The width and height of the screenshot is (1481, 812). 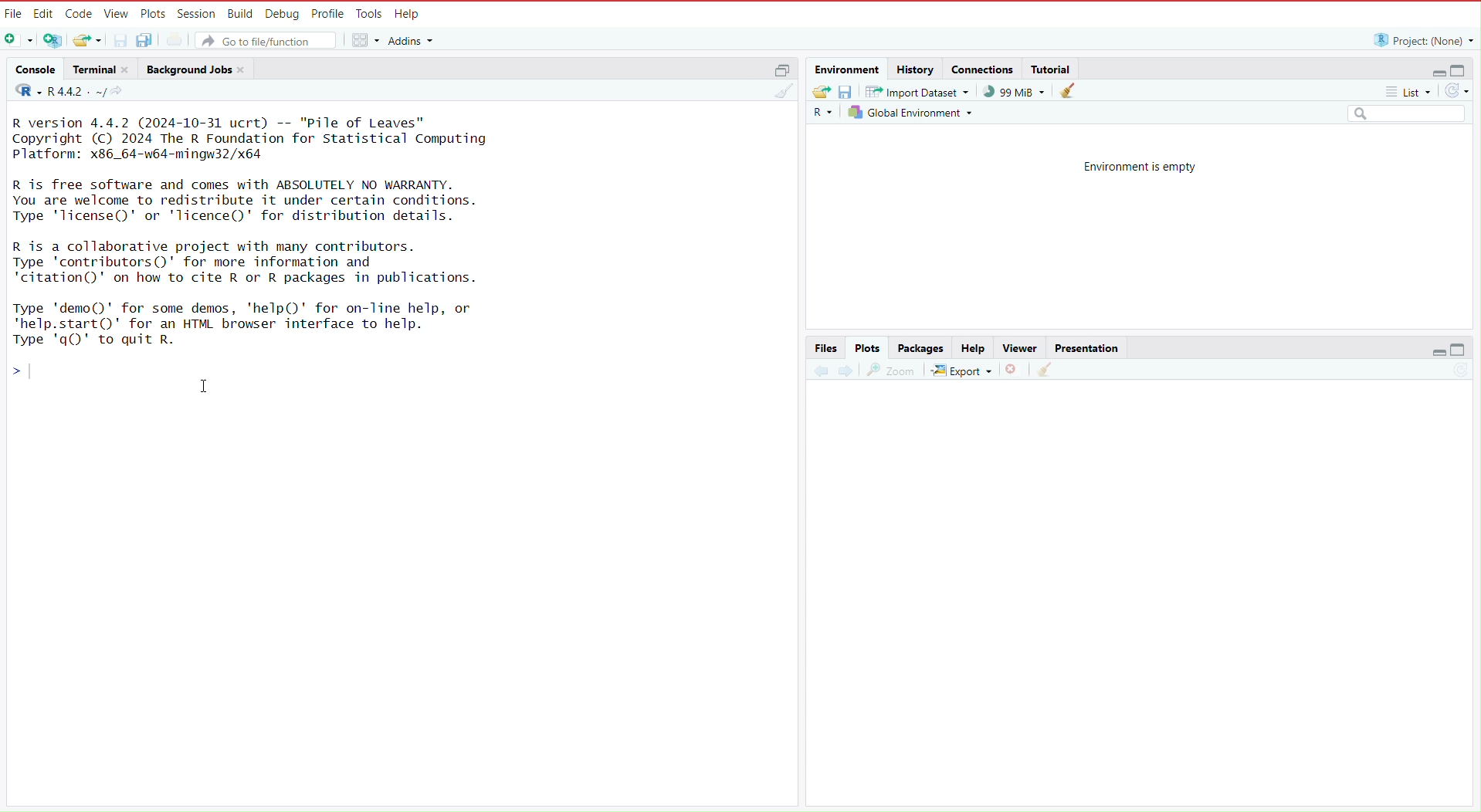 I want to click on save all open documents, so click(x=147, y=41).